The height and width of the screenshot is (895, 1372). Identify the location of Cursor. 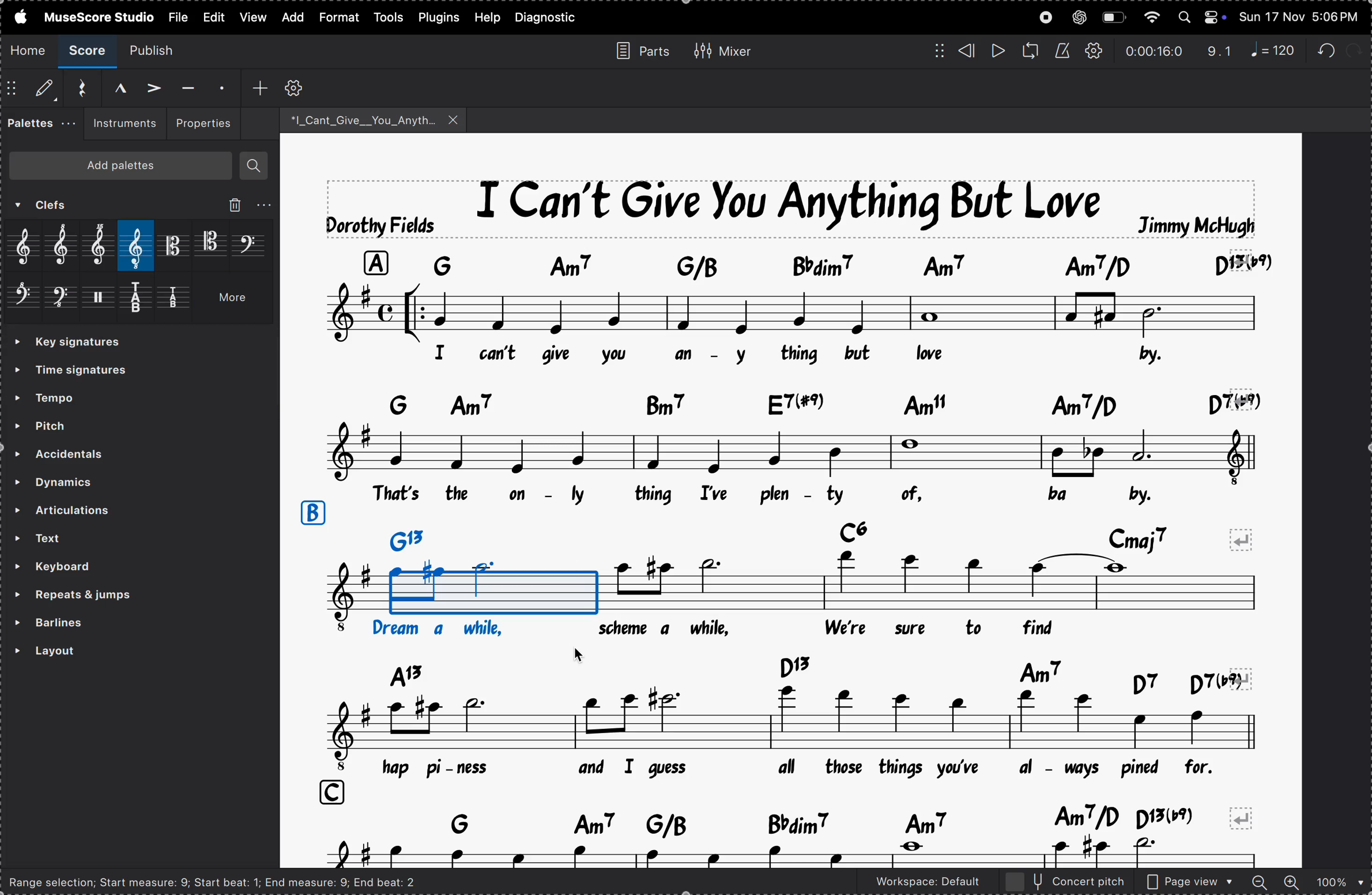
(581, 656).